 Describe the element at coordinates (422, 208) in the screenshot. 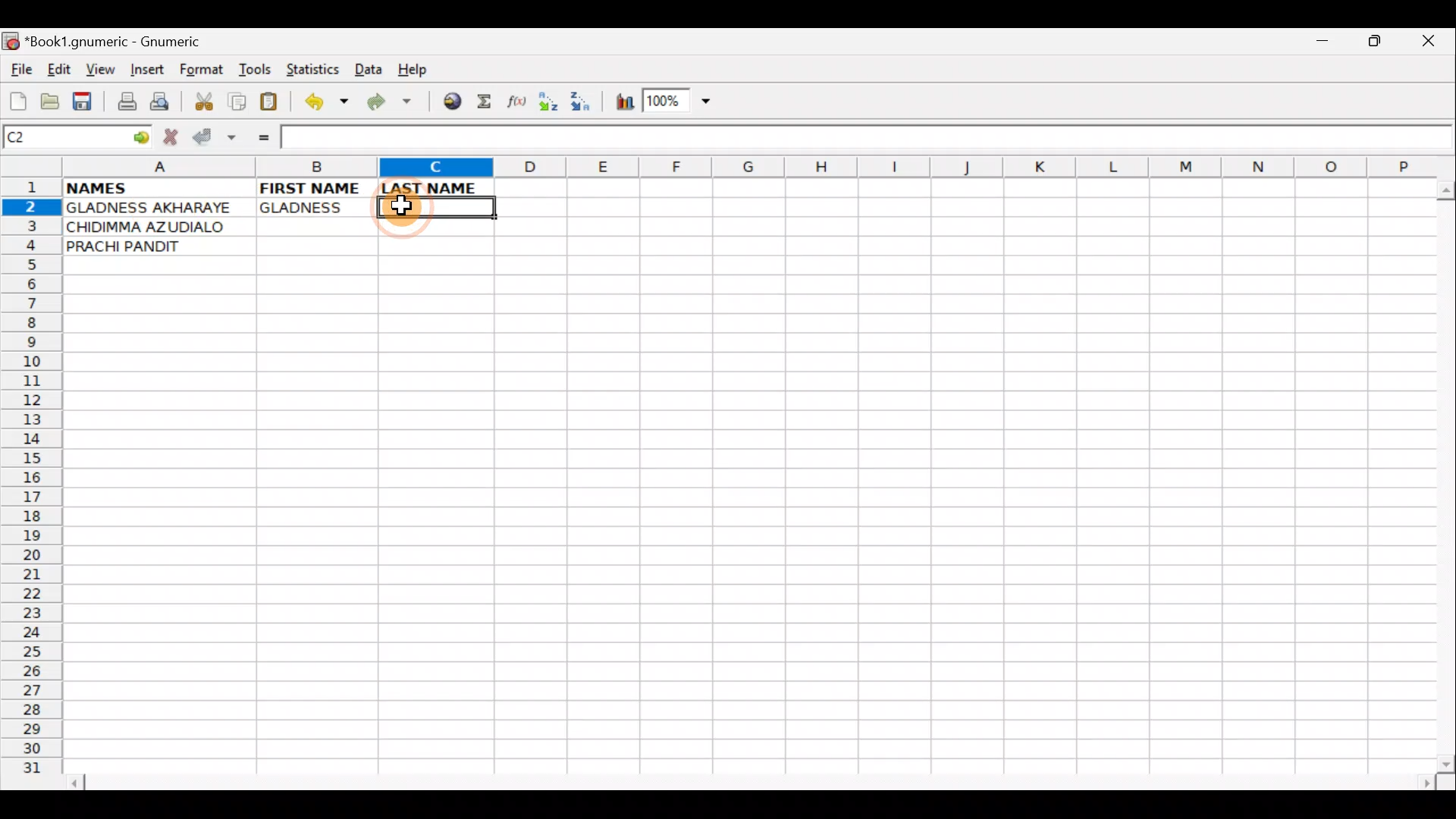

I see `Cell C2` at that location.